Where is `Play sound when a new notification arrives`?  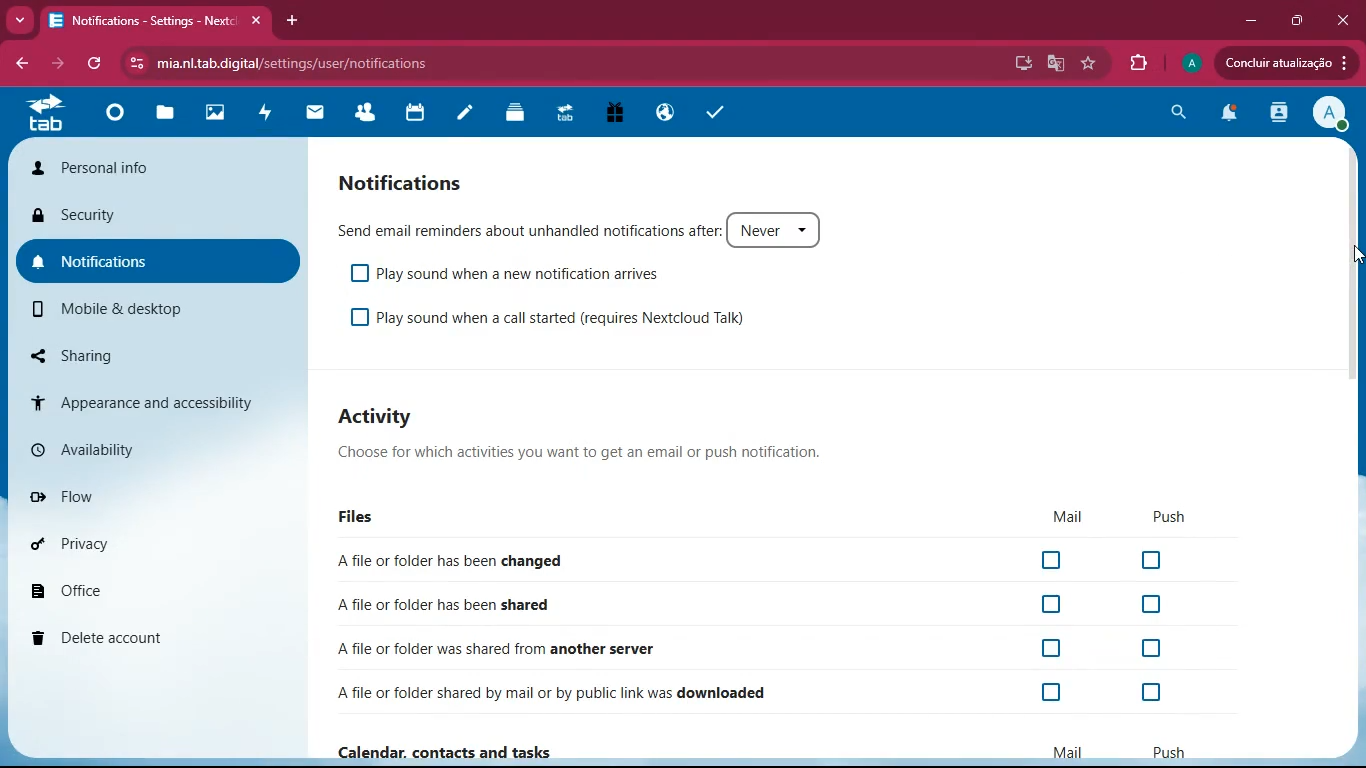 Play sound when a new notification arrives is located at coordinates (504, 274).